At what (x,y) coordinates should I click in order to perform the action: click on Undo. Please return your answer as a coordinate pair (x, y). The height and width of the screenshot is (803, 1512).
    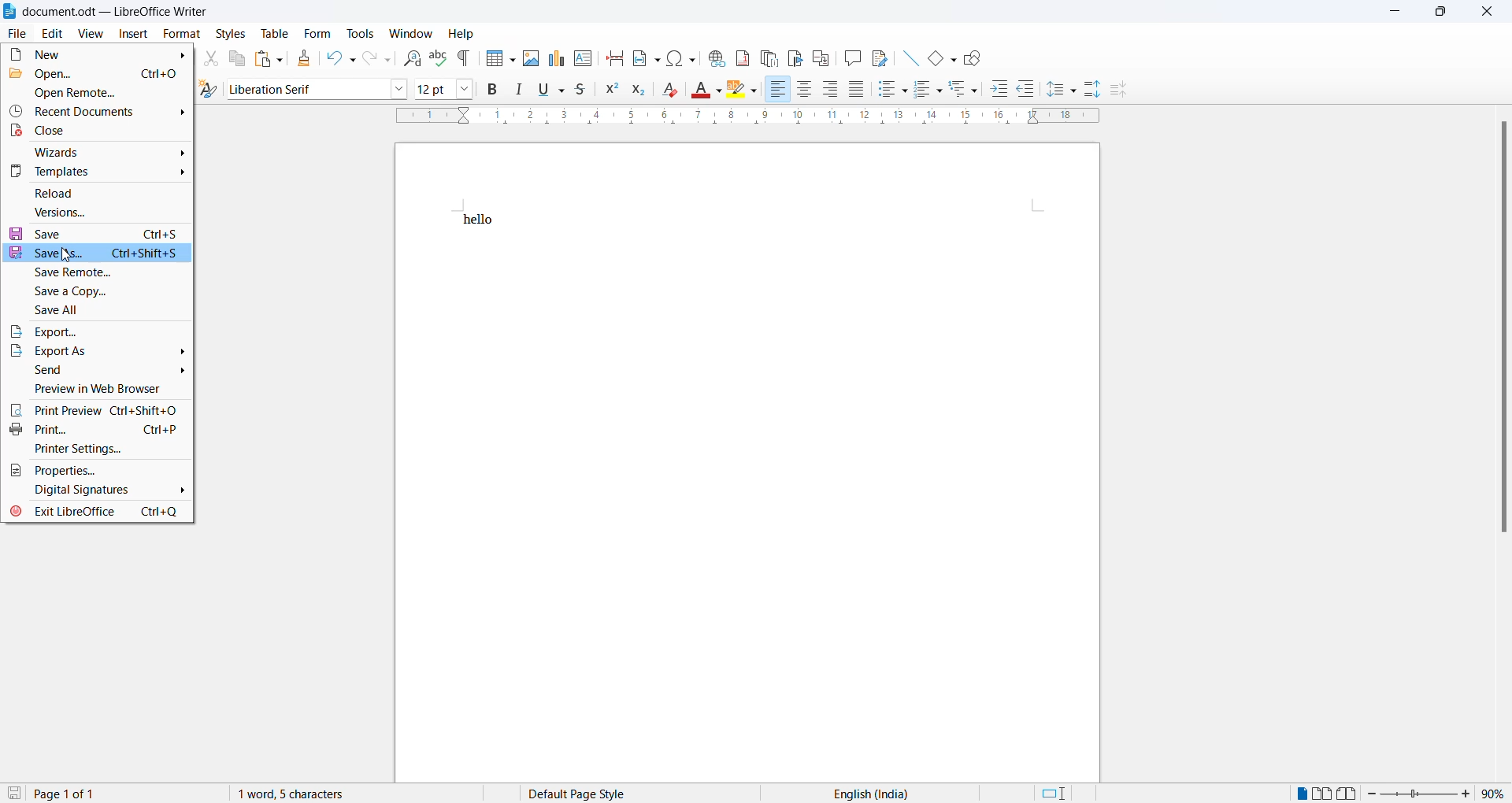
    Looking at the image, I should click on (334, 59).